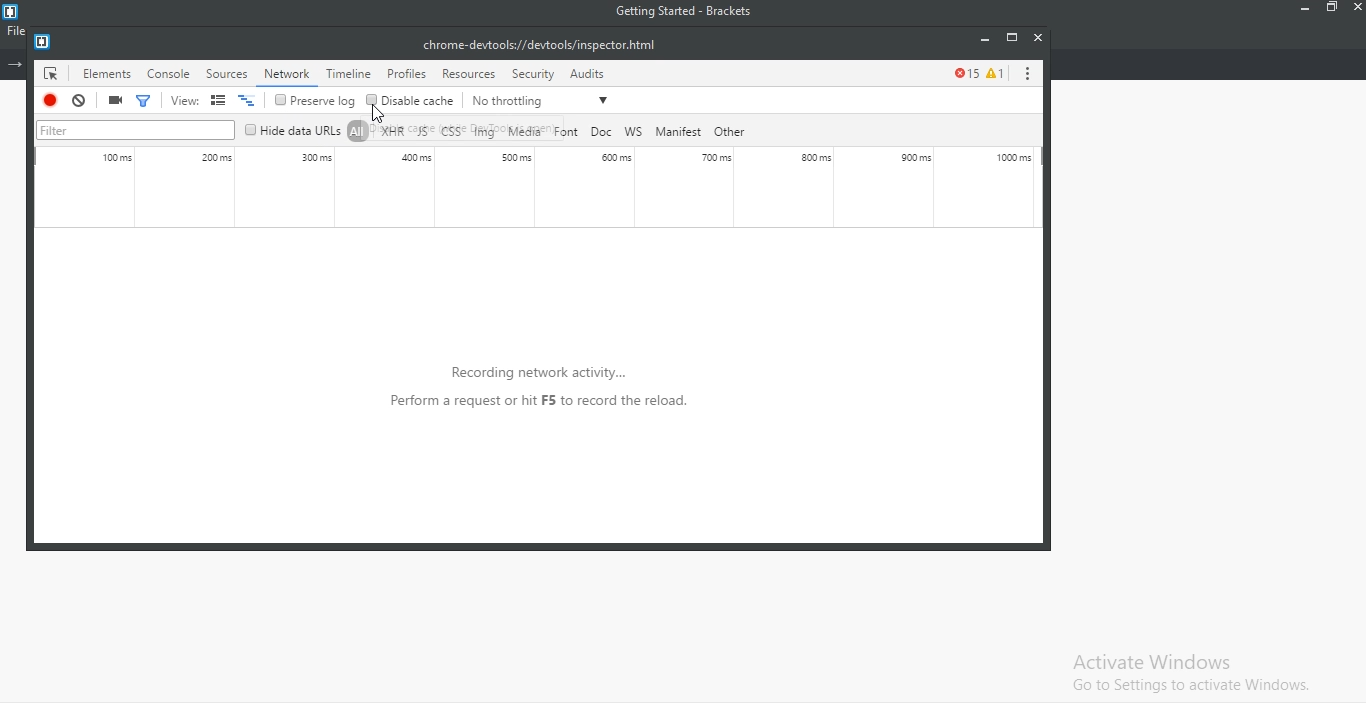 This screenshot has width=1366, height=728. Describe the element at coordinates (289, 73) in the screenshot. I see `highlighted` at that location.